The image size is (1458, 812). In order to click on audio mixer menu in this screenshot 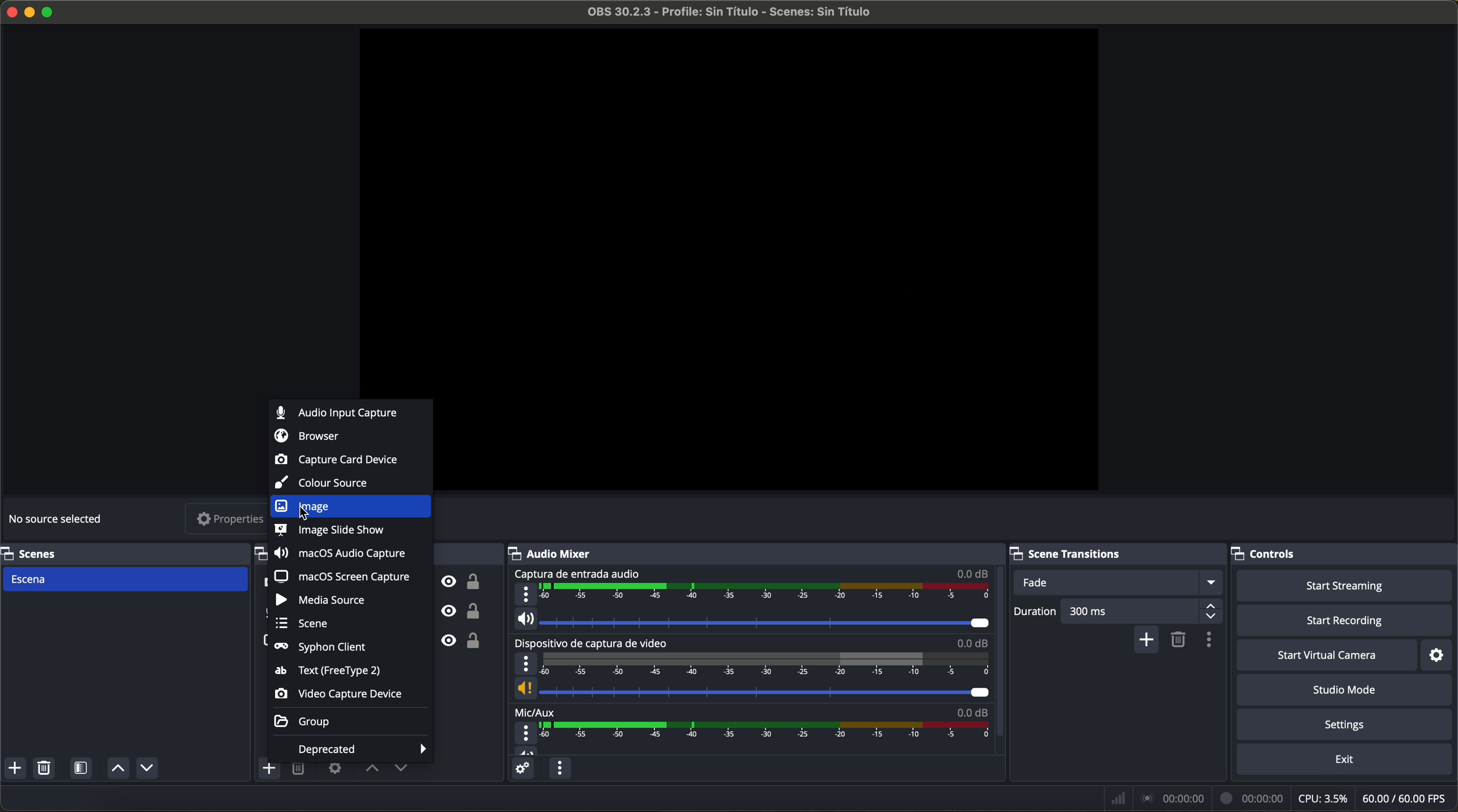, I will do `click(559, 768)`.